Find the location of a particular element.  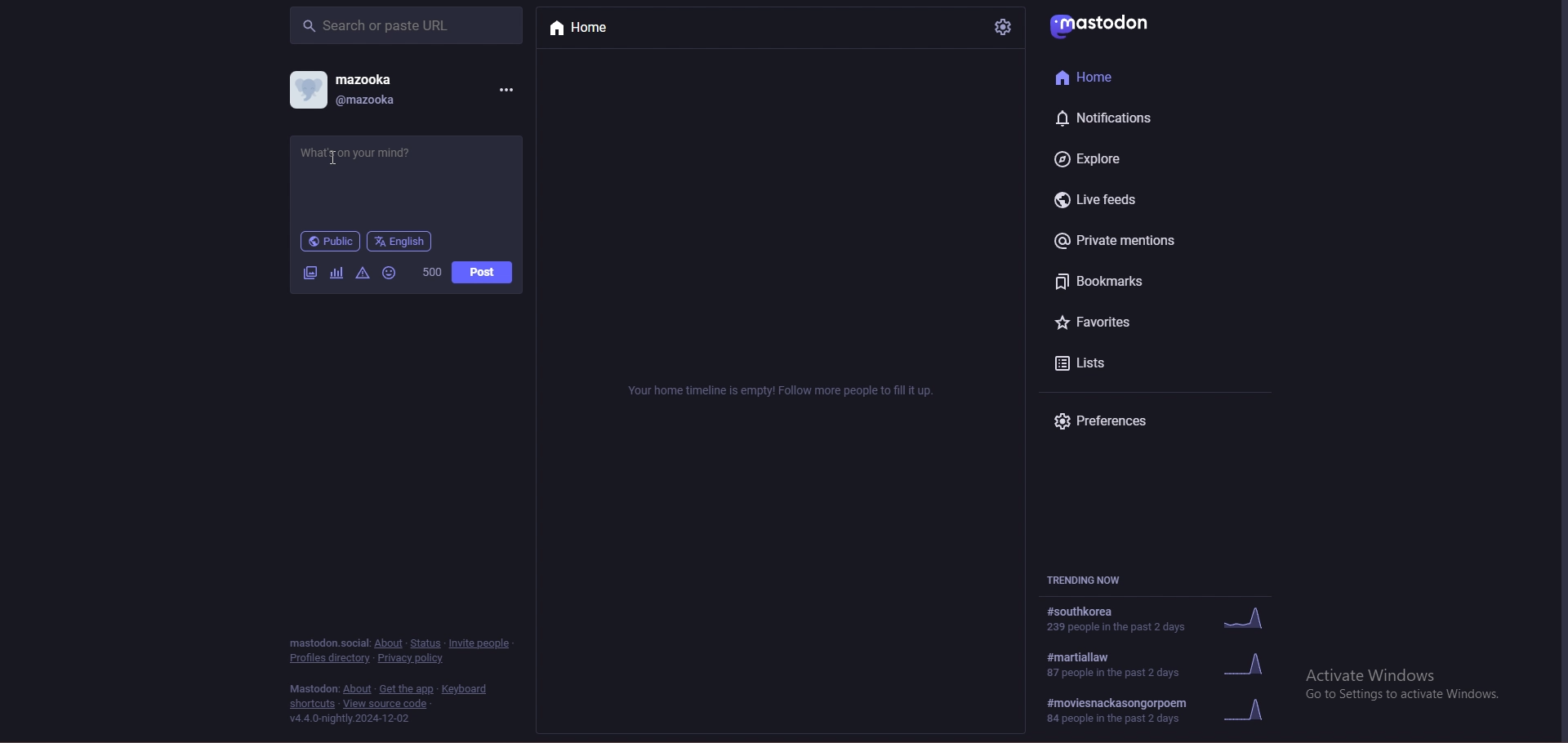

trend is located at coordinates (1162, 617).